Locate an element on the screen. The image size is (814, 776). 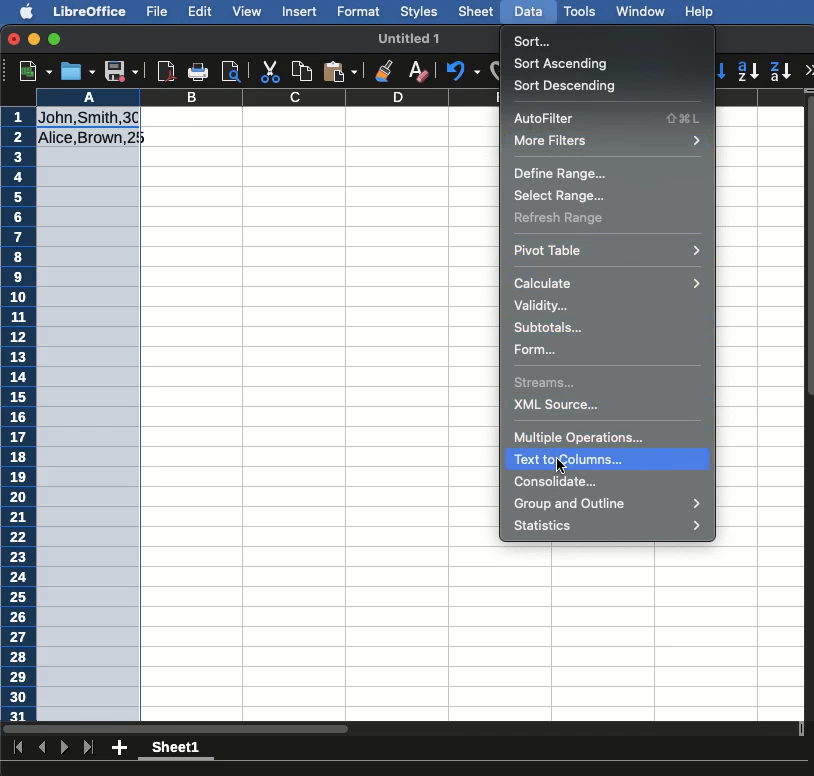
Sort descending is located at coordinates (570, 87).